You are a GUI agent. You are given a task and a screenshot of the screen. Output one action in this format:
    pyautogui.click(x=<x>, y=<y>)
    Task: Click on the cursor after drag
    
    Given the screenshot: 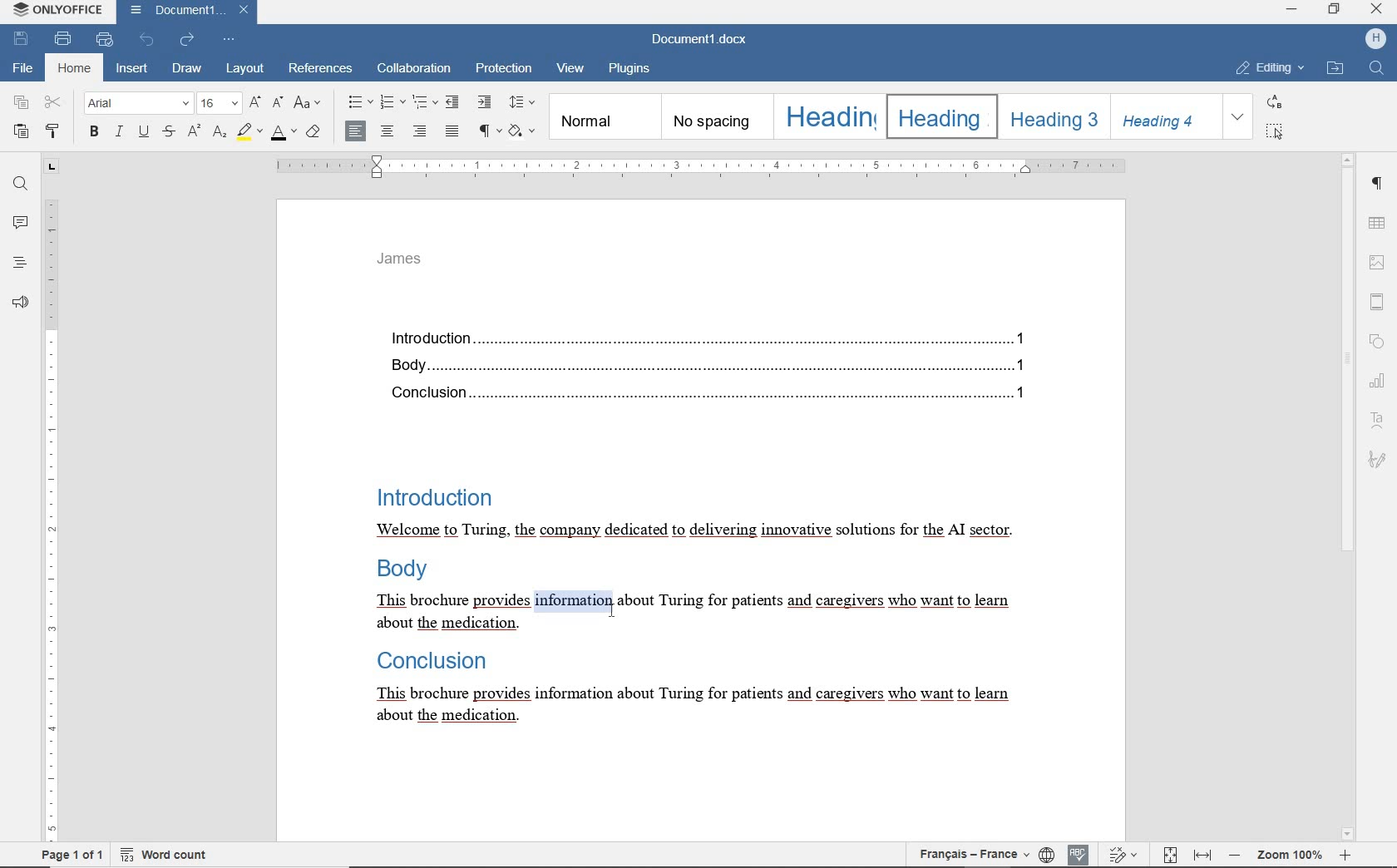 What is the action you would take?
    pyautogui.click(x=615, y=609)
    